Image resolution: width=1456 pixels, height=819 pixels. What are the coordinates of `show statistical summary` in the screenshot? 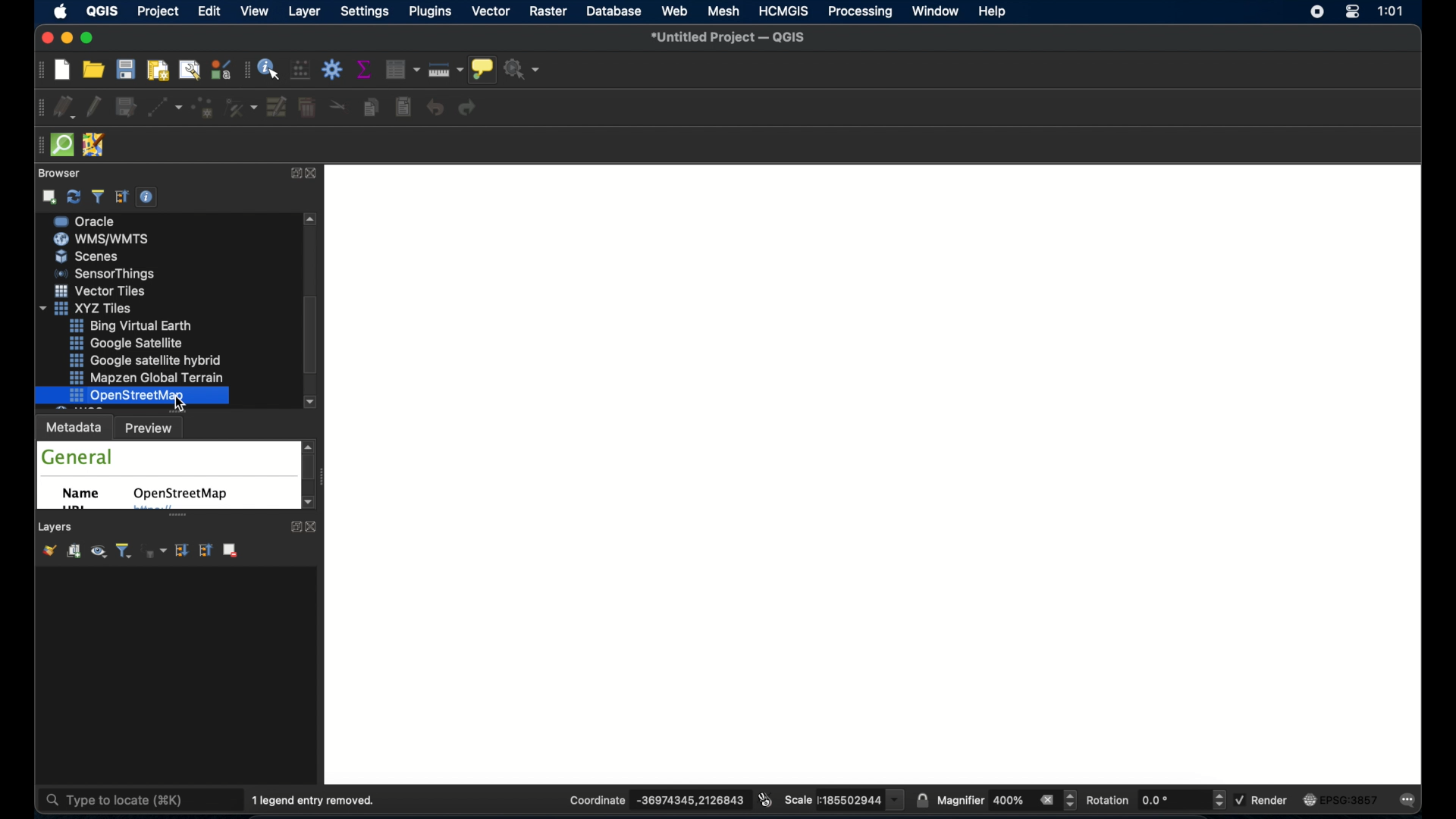 It's located at (365, 68).